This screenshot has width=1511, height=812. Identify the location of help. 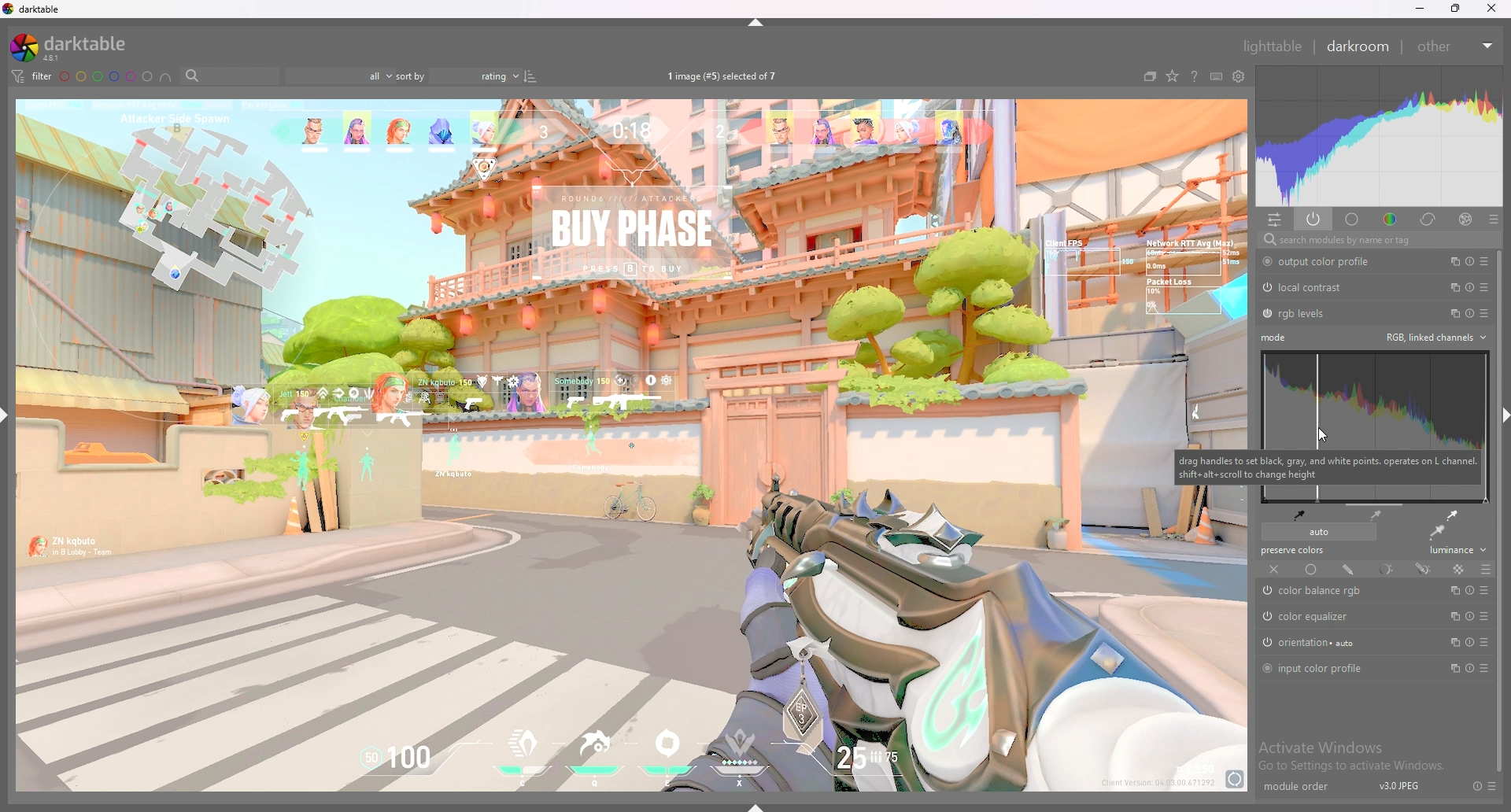
(1195, 76).